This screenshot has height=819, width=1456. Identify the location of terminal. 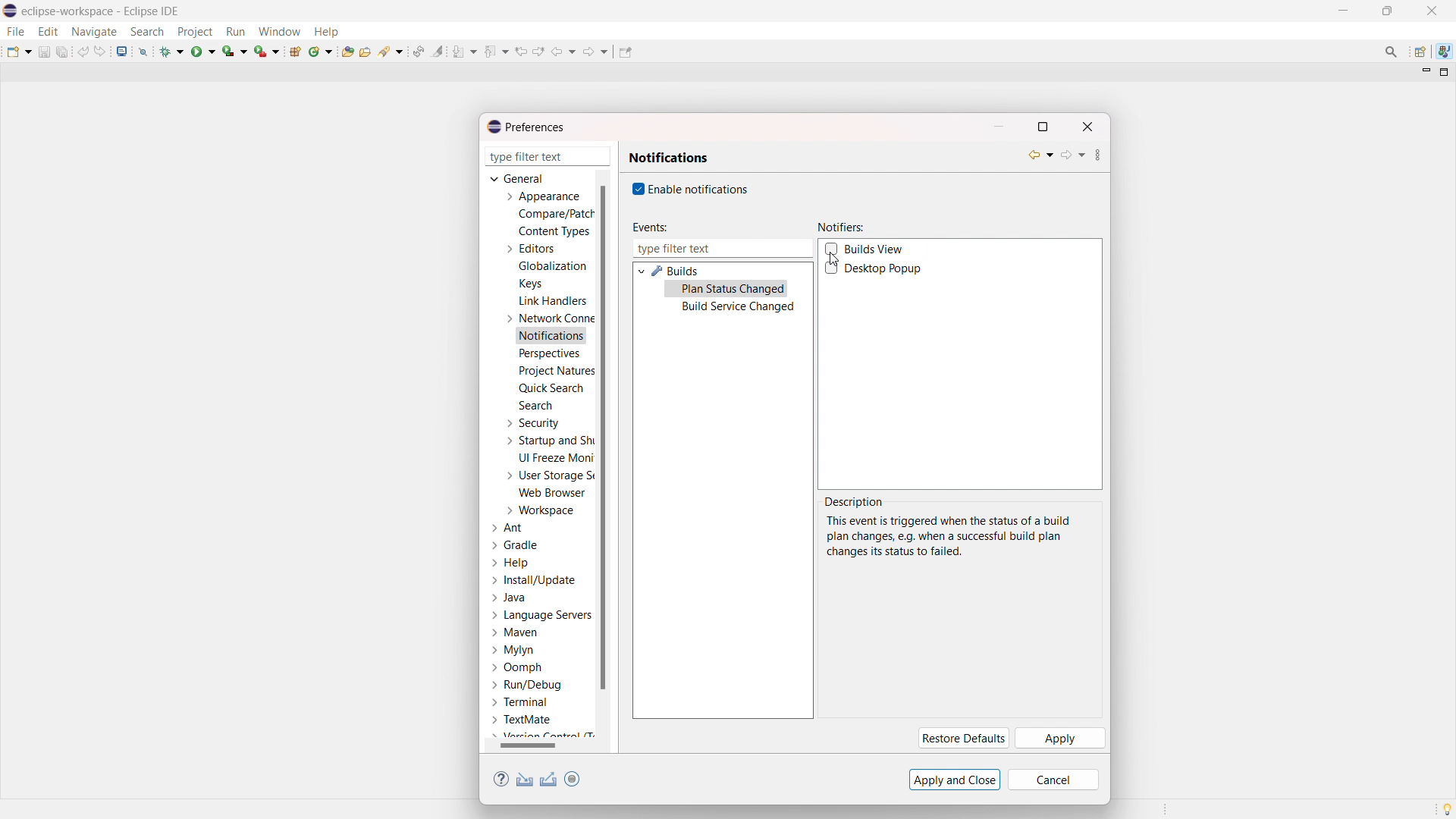
(521, 703).